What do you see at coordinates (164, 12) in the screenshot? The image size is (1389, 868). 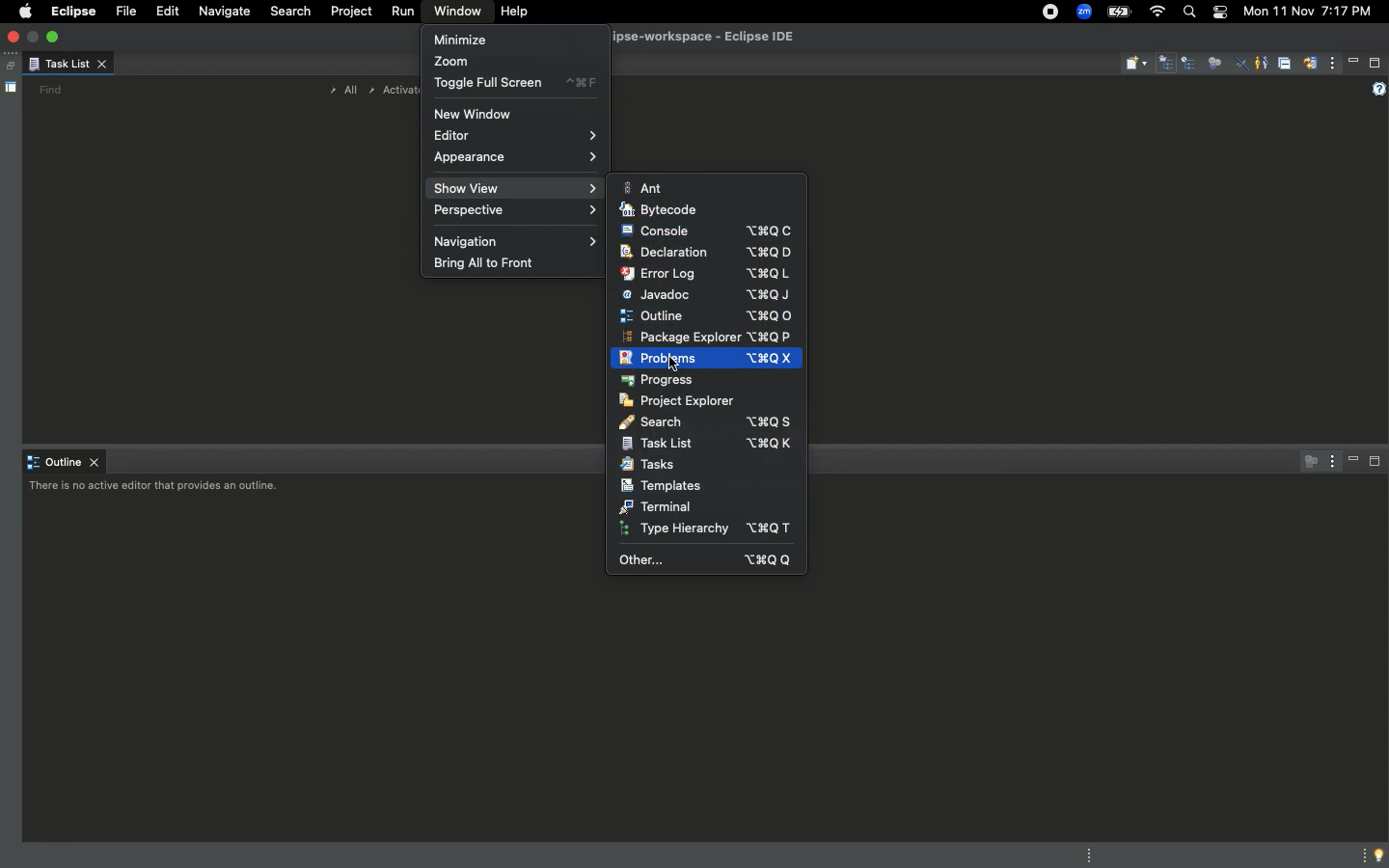 I see `Edit` at bounding box center [164, 12].